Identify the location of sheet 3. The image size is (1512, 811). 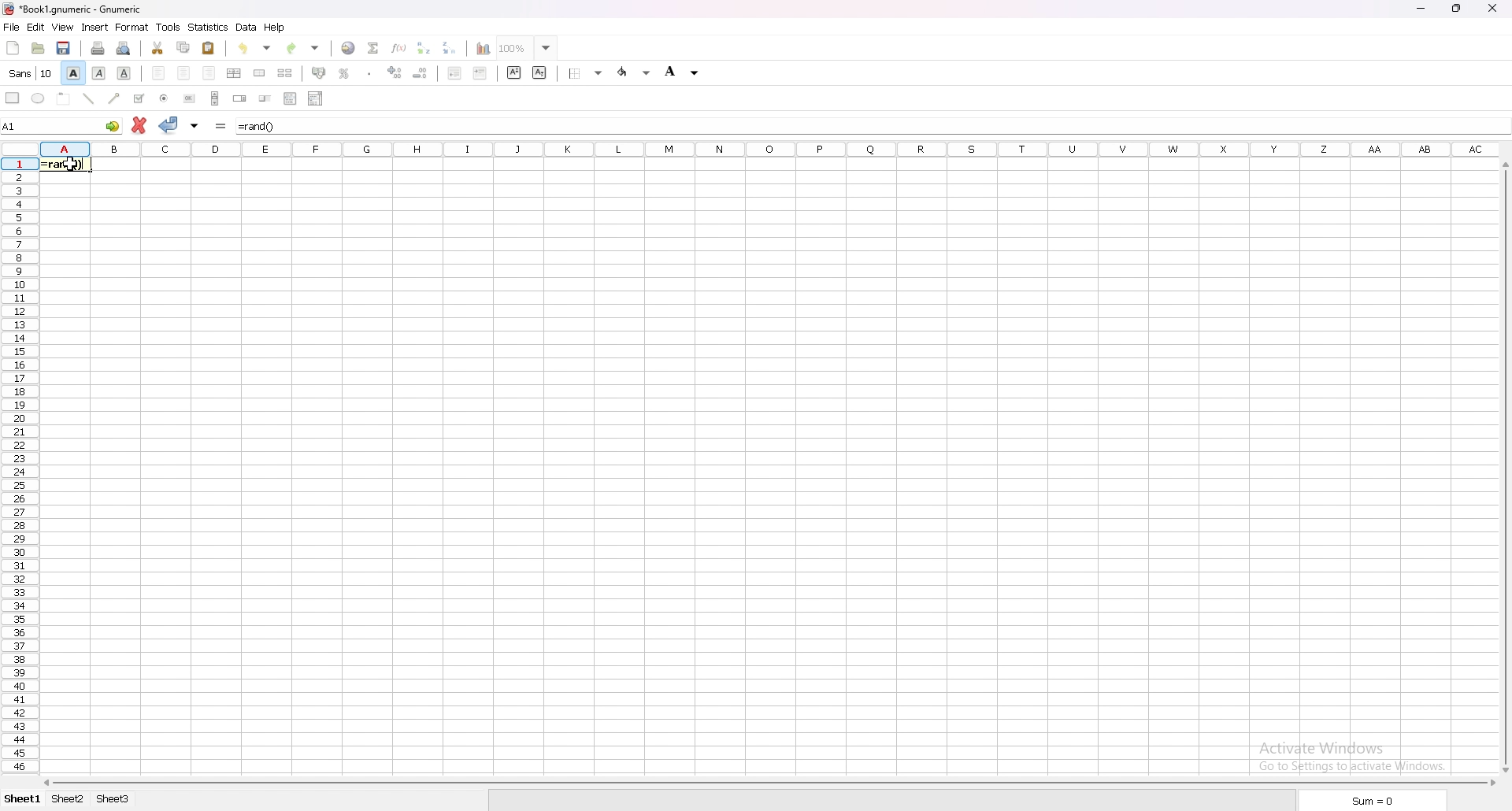
(114, 799).